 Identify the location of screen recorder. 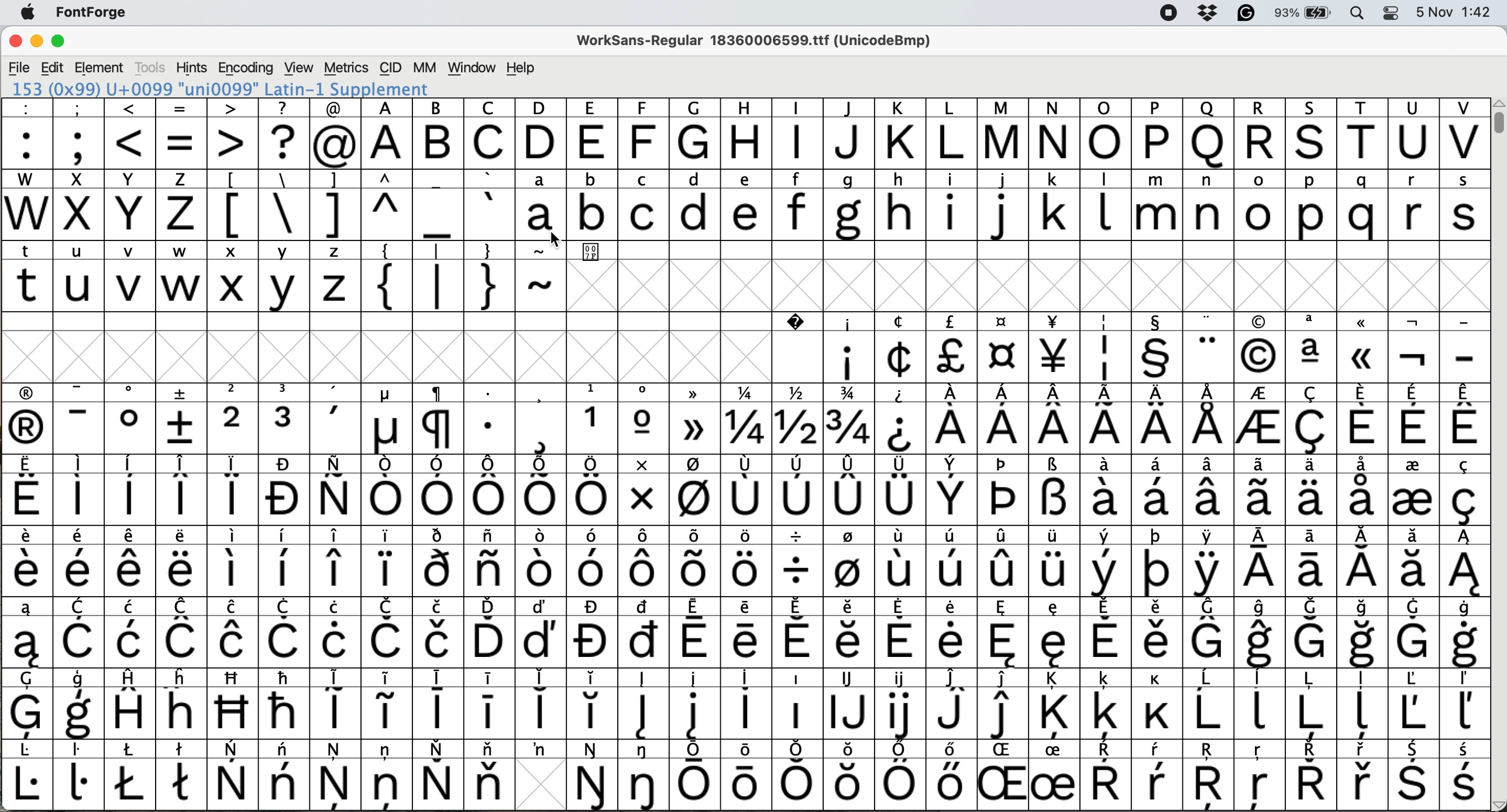
(1167, 14).